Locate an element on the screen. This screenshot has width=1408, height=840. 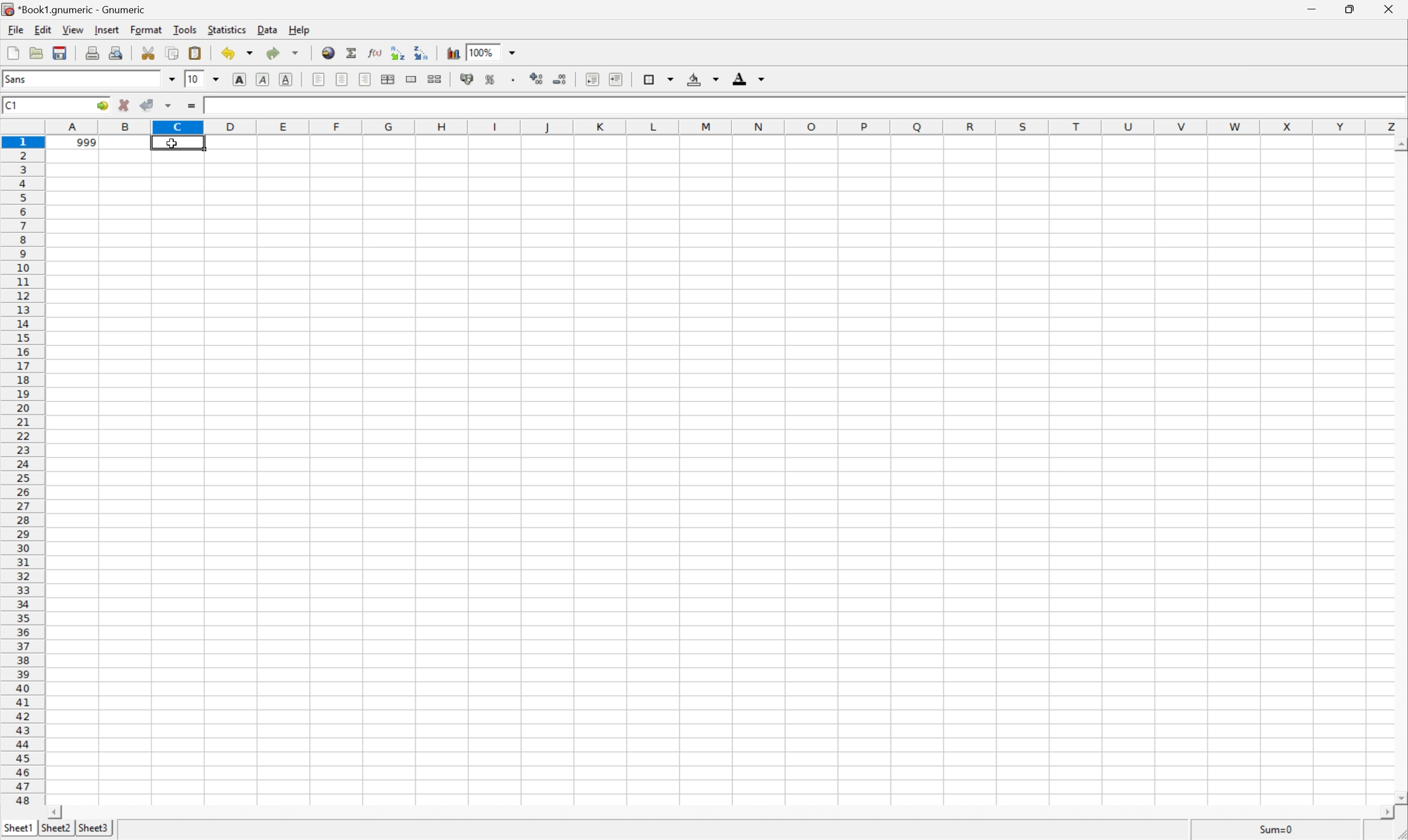
scroll left is located at coordinates (66, 812).